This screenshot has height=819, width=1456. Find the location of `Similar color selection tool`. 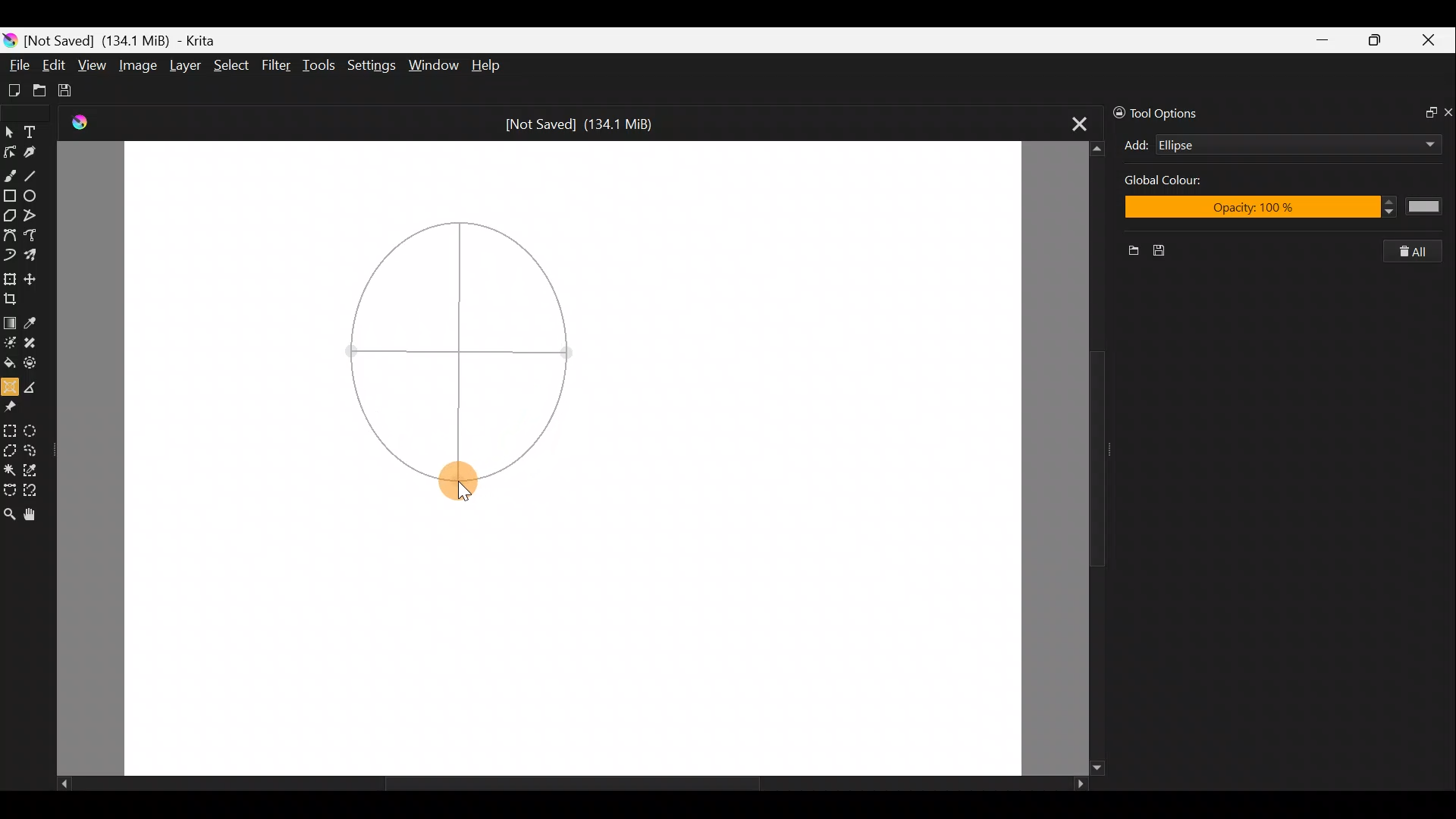

Similar color selection tool is located at coordinates (37, 468).